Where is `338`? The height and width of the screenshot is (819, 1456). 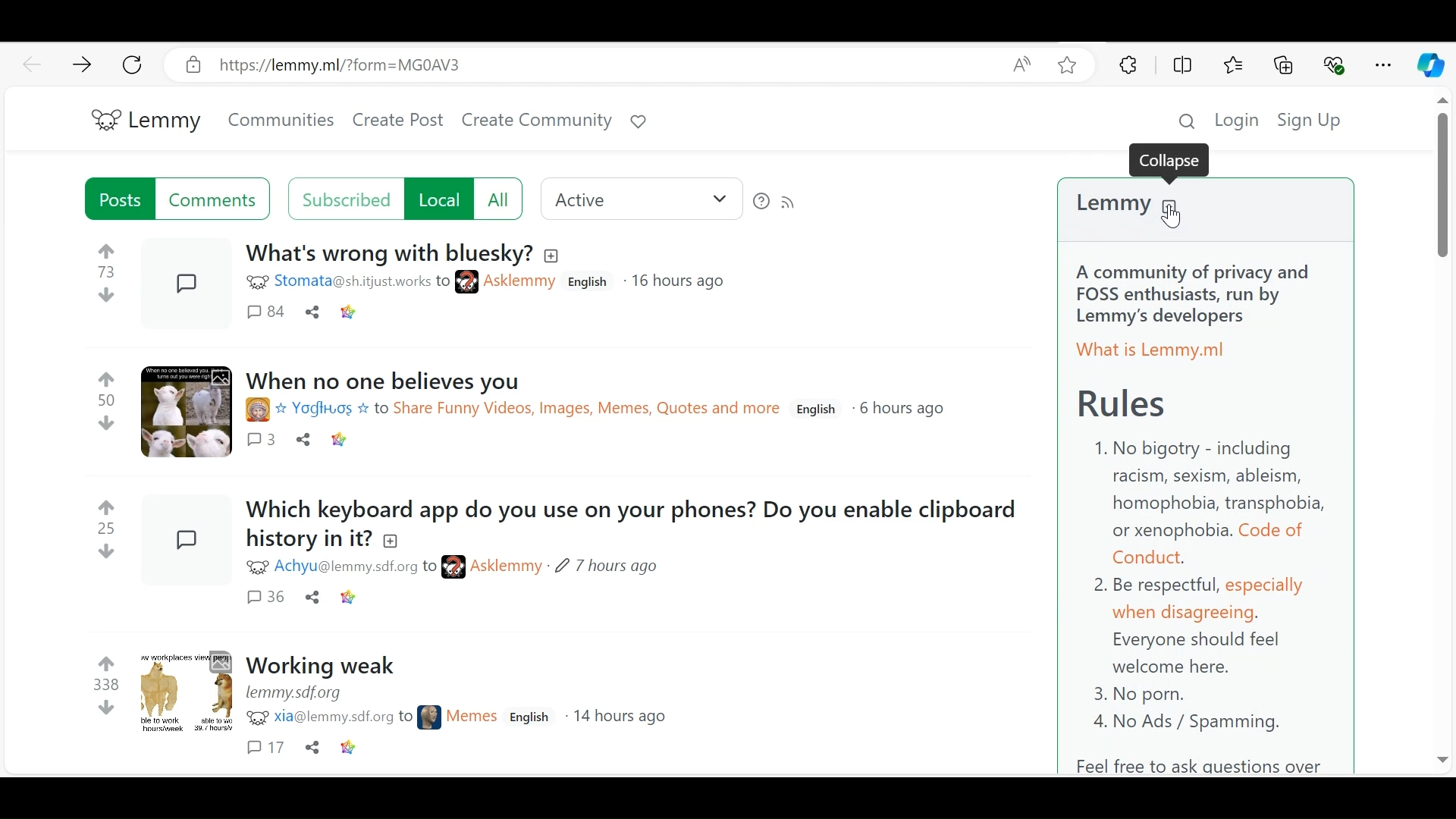 338 is located at coordinates (106, 682).